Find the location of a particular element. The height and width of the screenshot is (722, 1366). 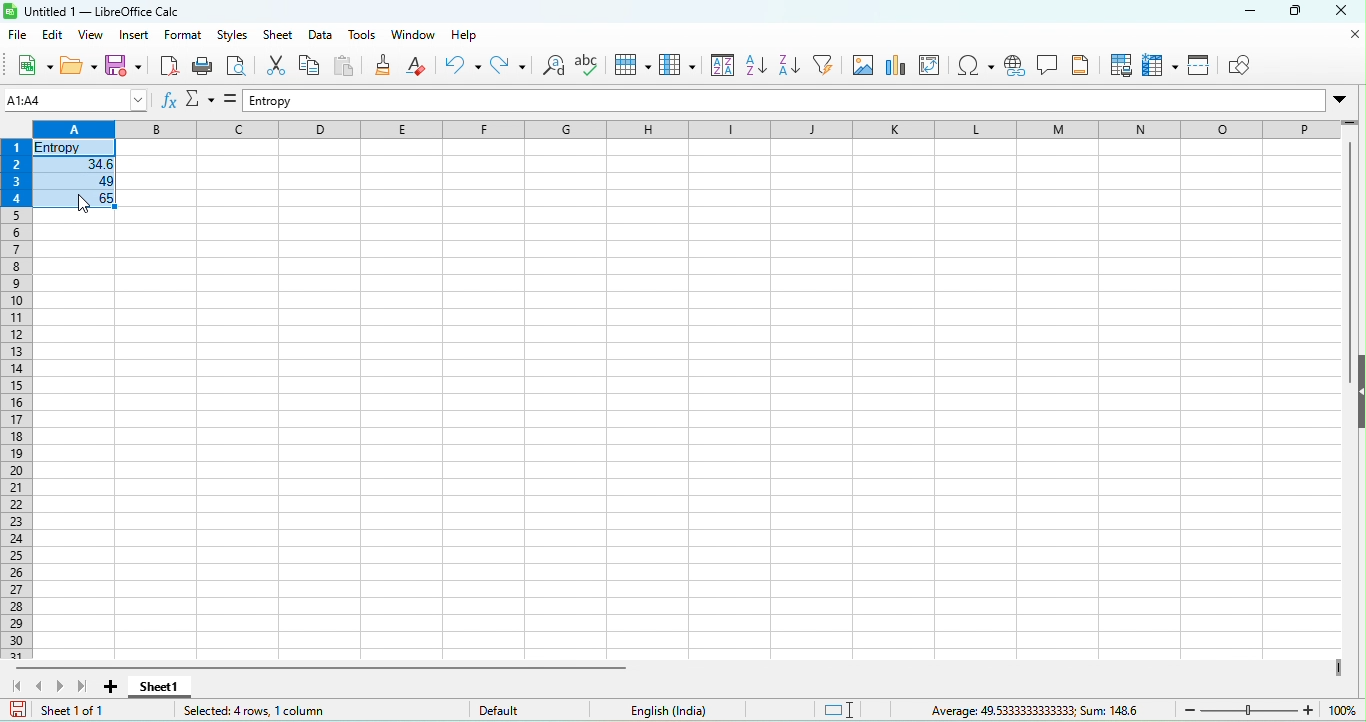

print area is located at coordinates (1121, 69).